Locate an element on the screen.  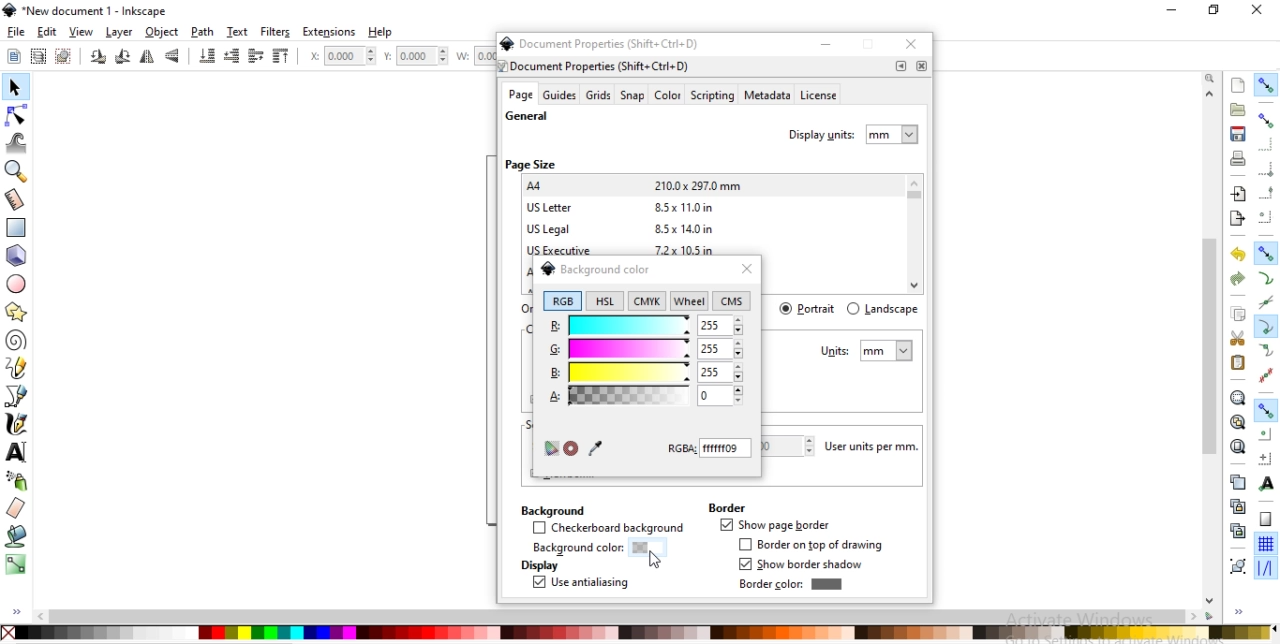
lower selection one step is located at coordinates (231, 57).